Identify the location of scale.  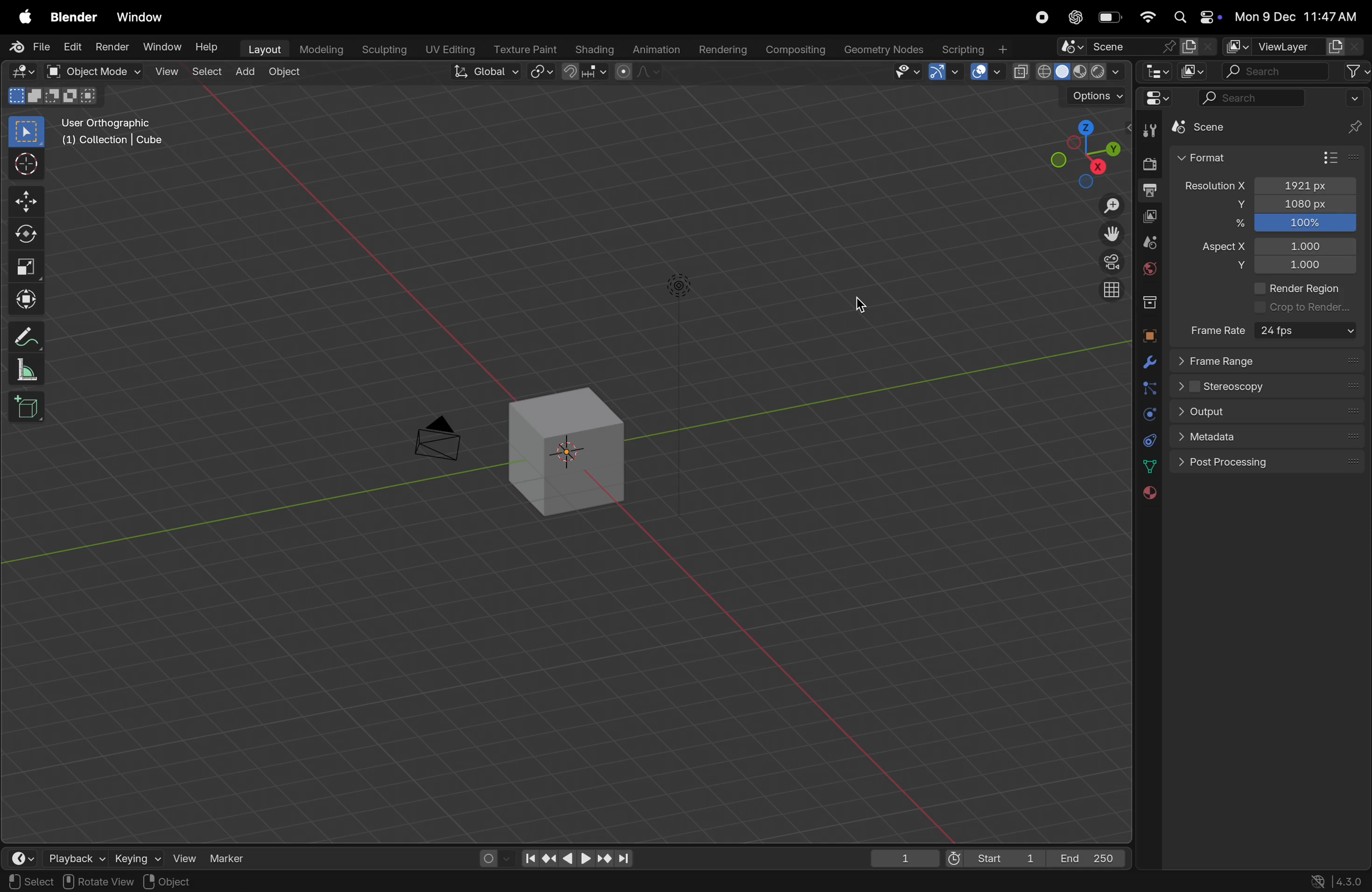
(24, 267).